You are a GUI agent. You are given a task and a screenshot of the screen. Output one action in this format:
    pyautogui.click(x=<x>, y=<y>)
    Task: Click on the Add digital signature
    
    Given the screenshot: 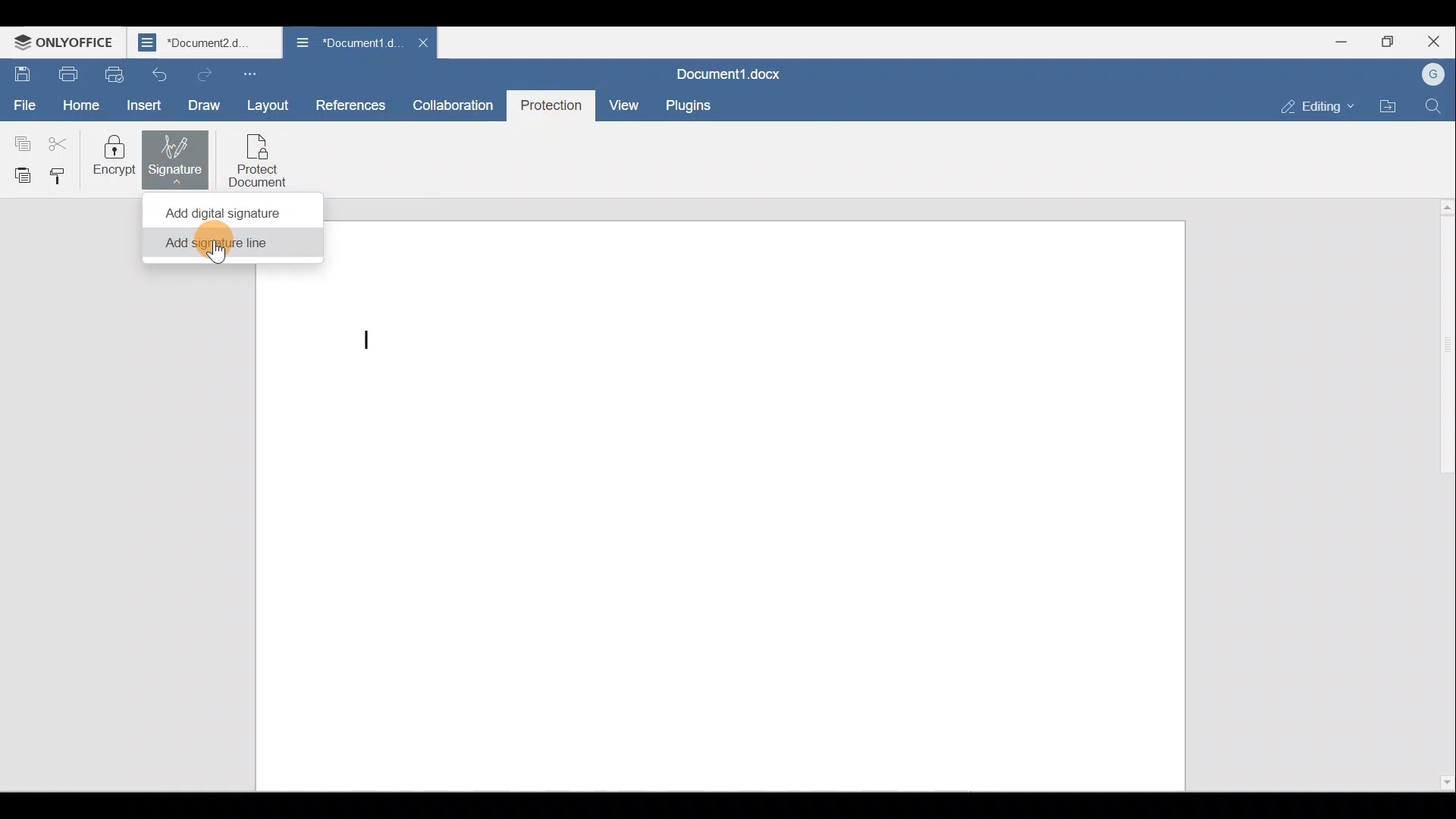 What is the action you would take?
    pyautogui.click(x=228, y=211)
    